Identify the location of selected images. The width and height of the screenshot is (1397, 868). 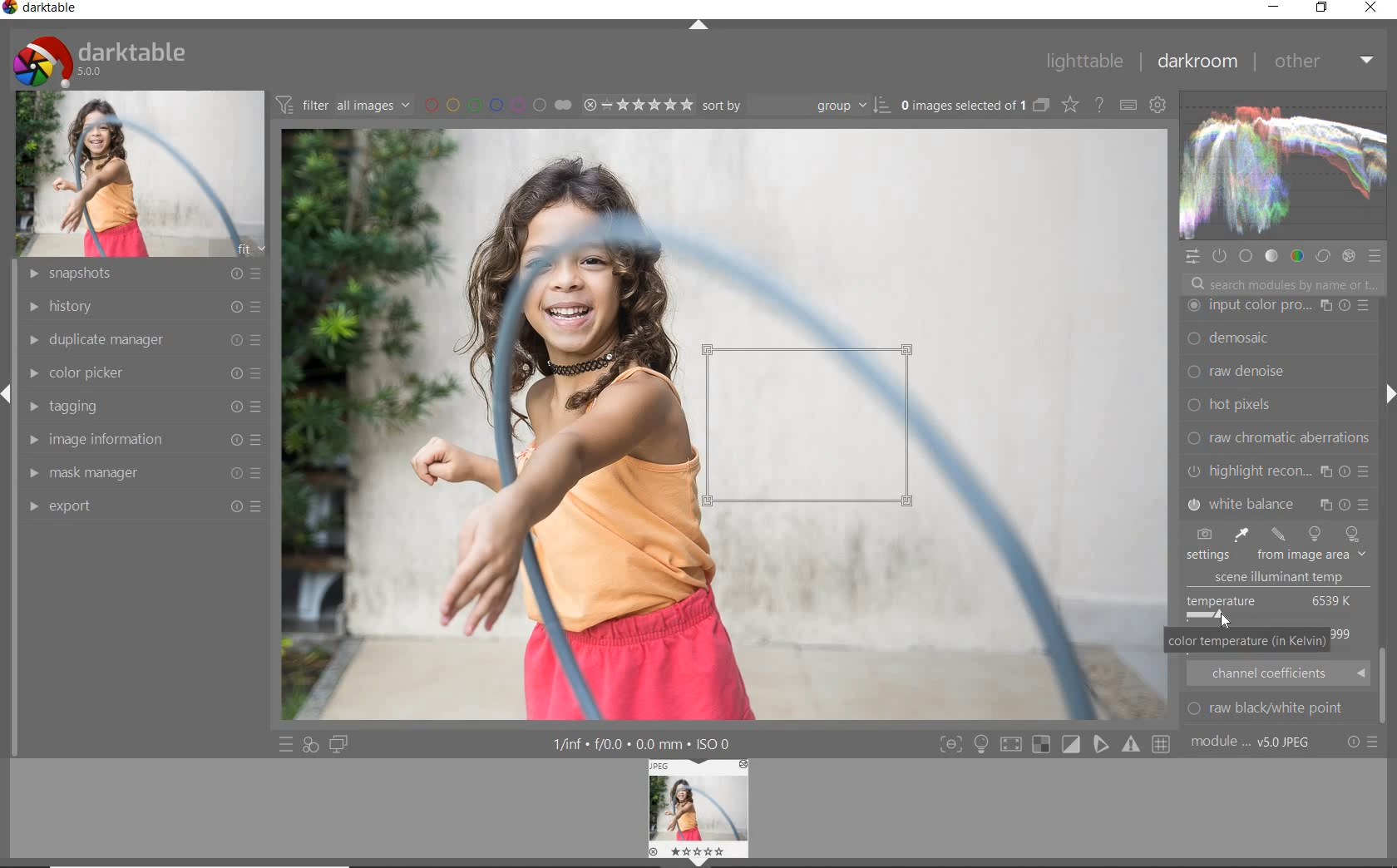
(961, 105).